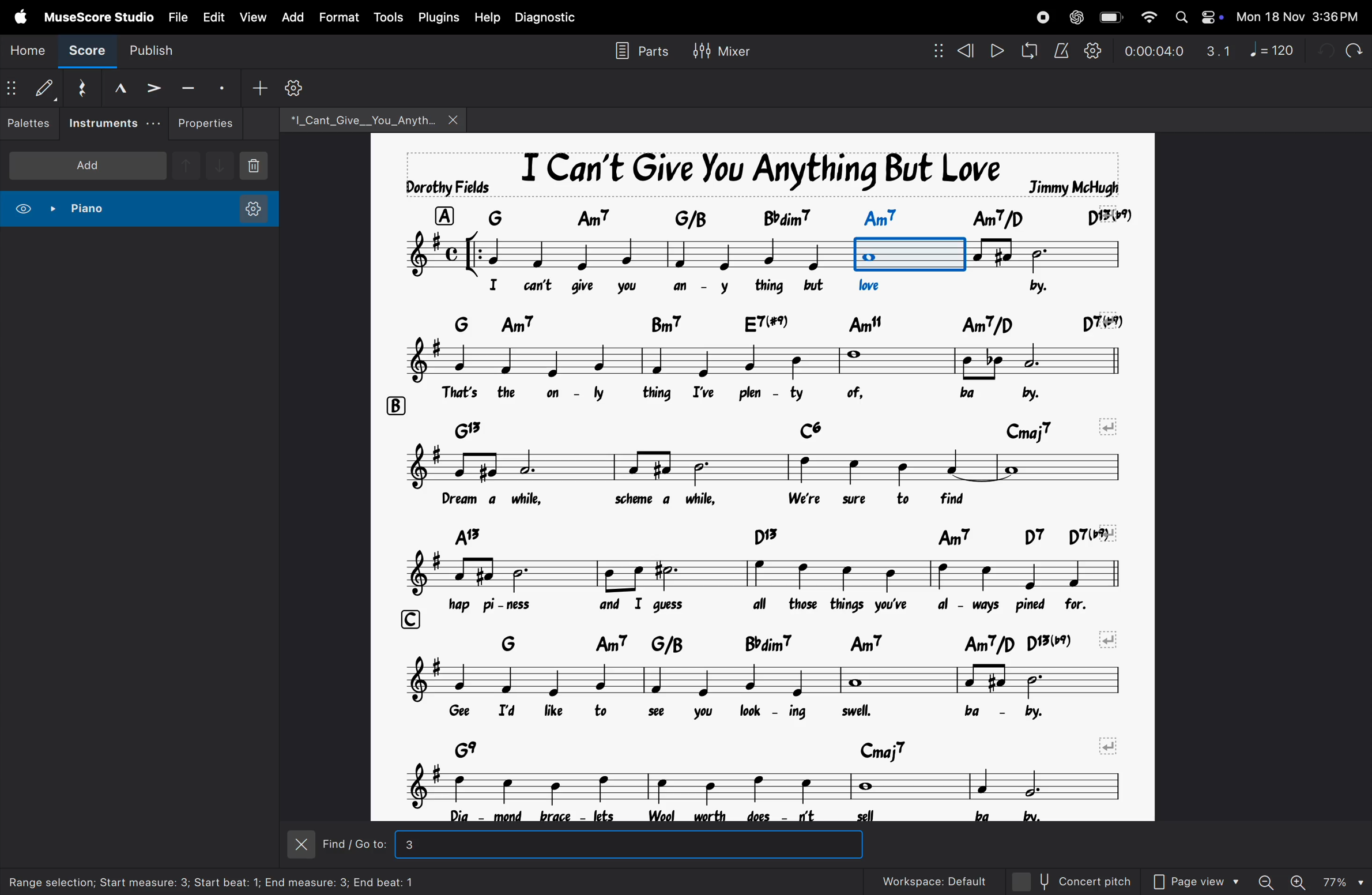  What do you see at coordinates (252, 210) in the screenshot?
I see `instrument setting` at bounding box center [252, 210].